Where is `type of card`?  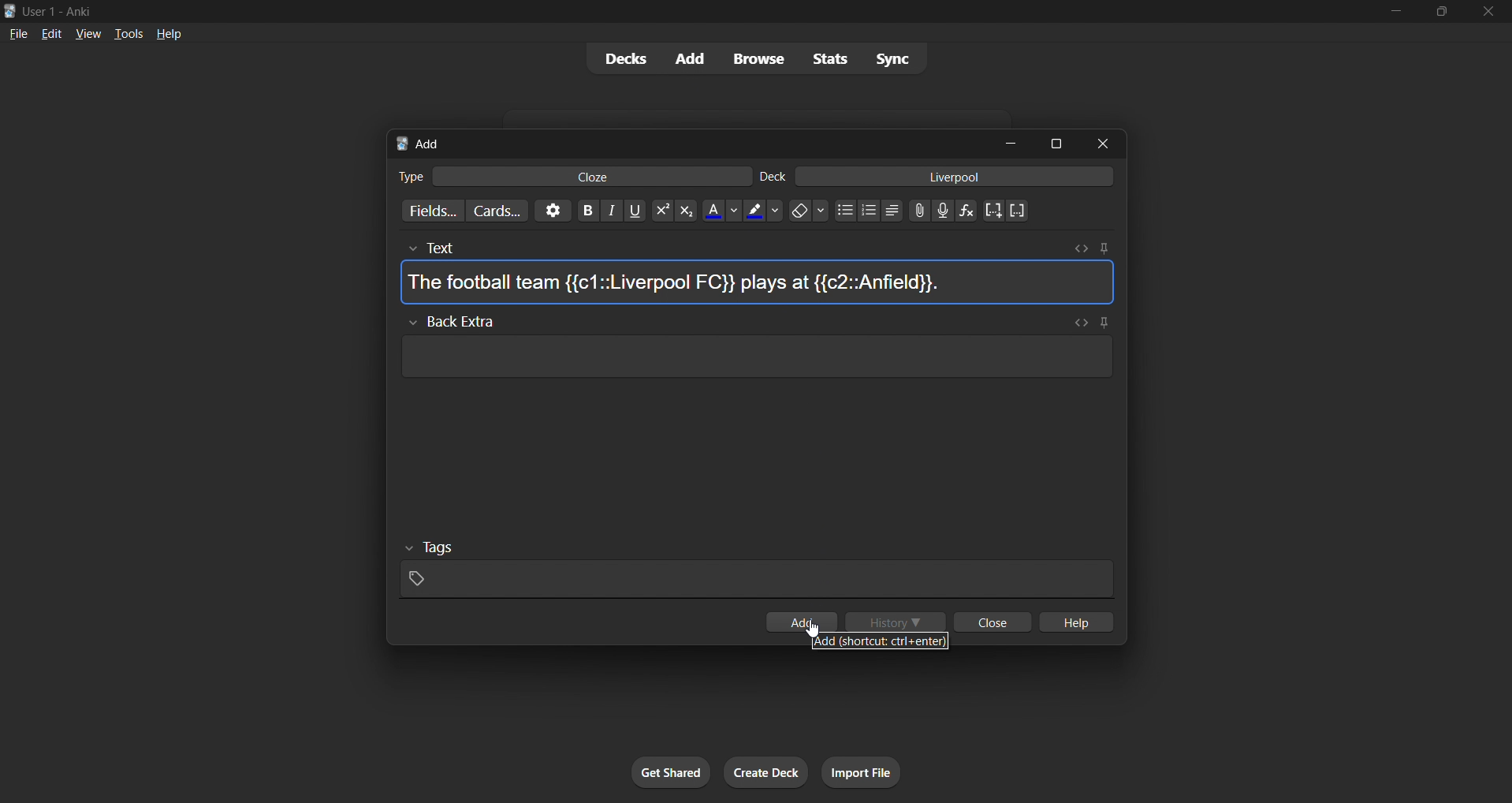
type of card is located at coordinates (406, 177).